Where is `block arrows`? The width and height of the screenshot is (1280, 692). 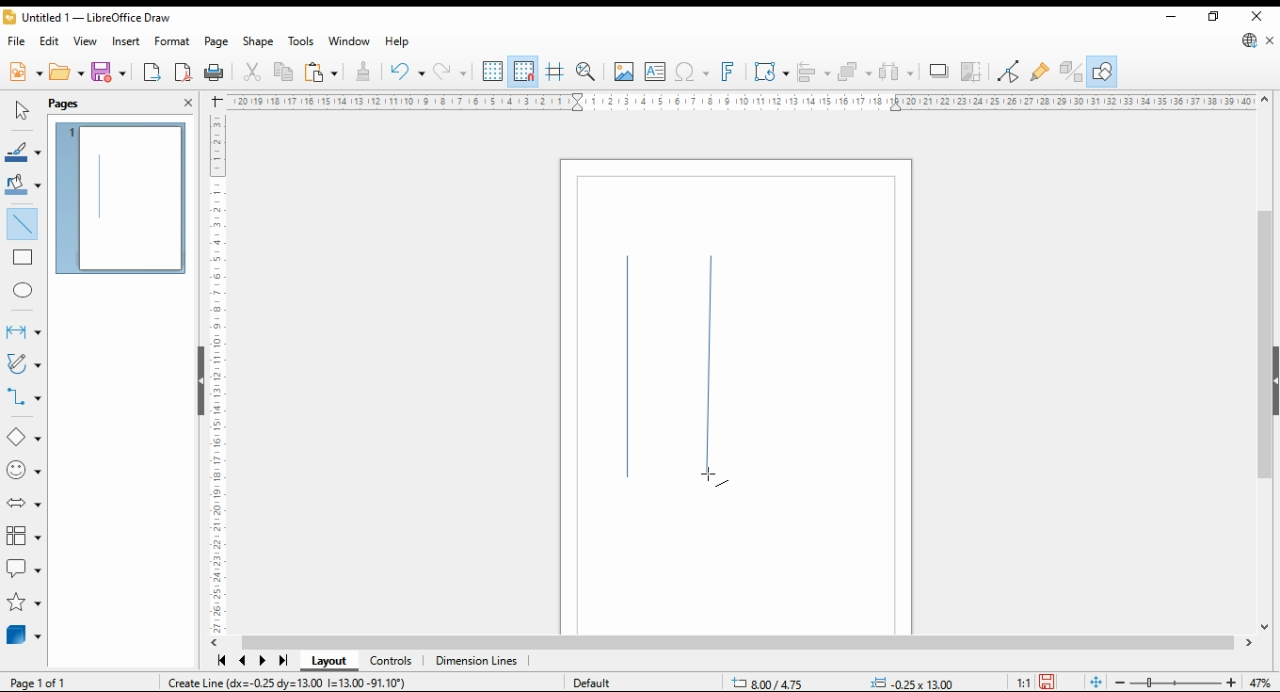 block arrows is located at coordinates (24, 503).